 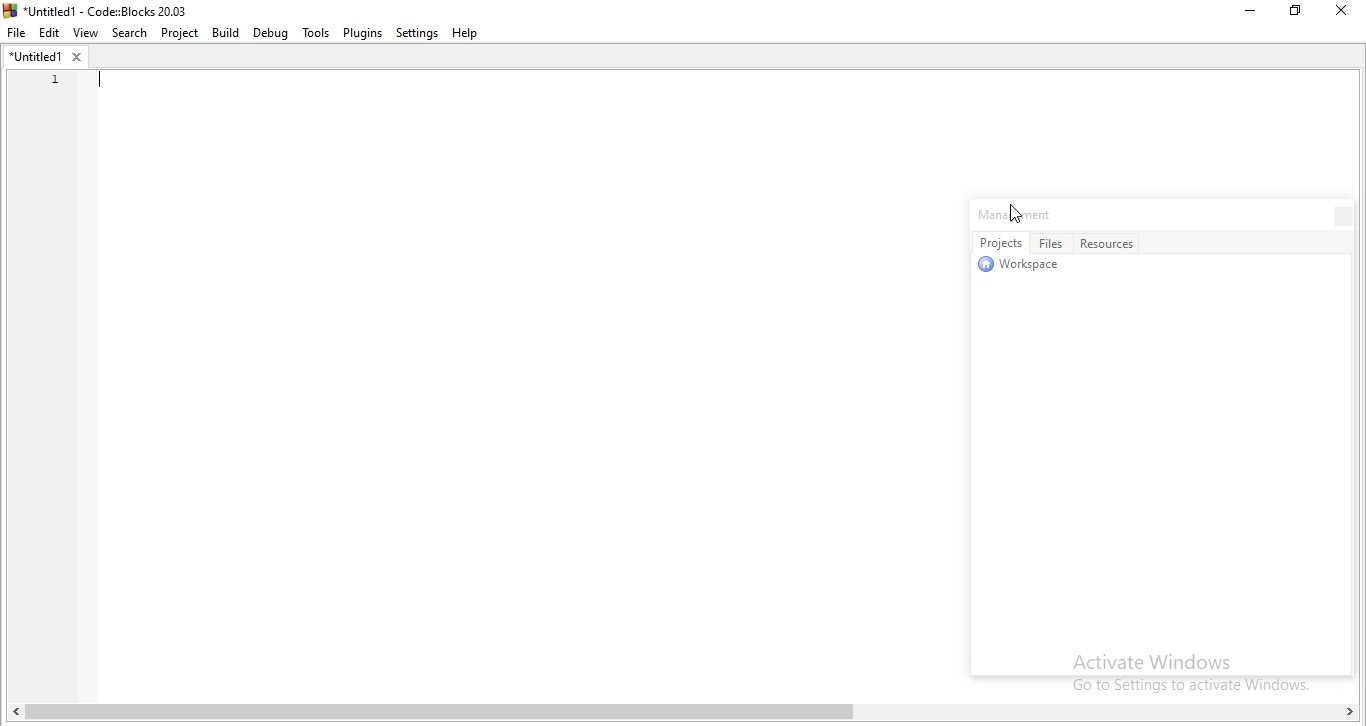 What do you see at coordinates (1295, 15) in the screenshot?
I see `Restore` at bounding box center [1295, 15].